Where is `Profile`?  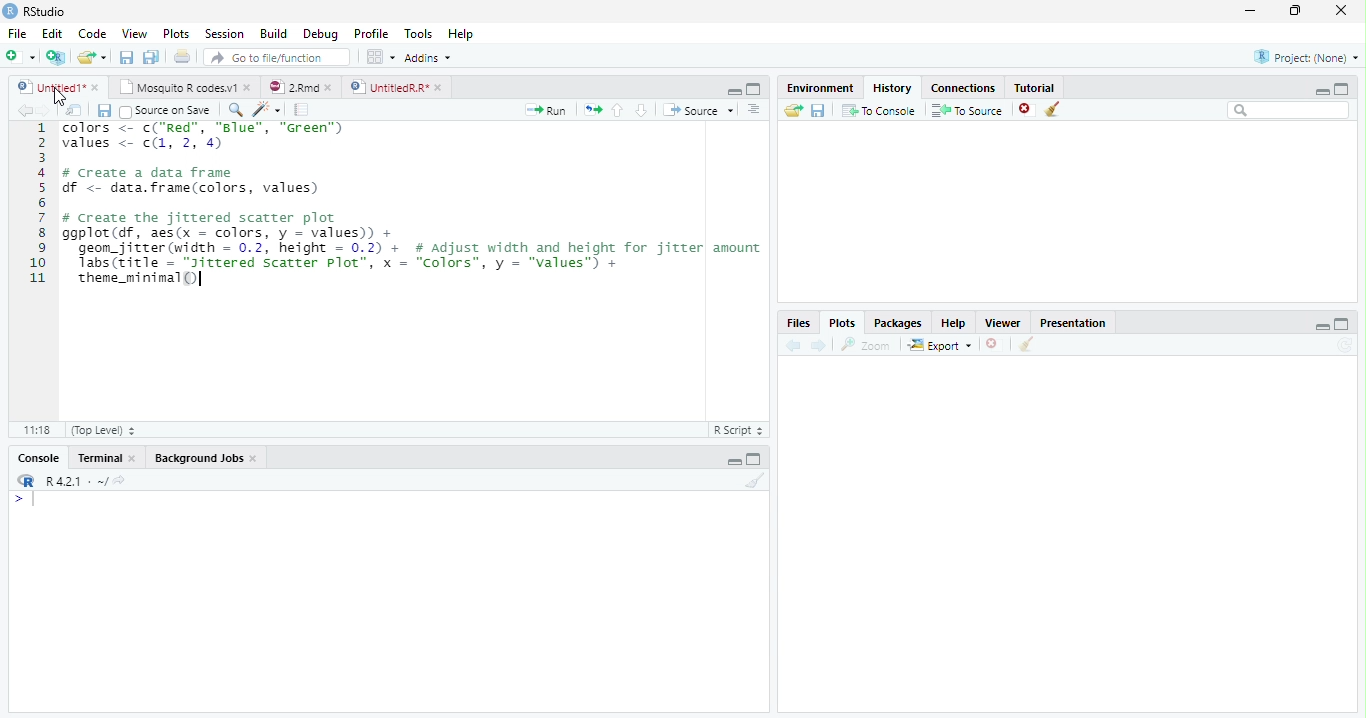 Profile is located at coordinates (372, 33).